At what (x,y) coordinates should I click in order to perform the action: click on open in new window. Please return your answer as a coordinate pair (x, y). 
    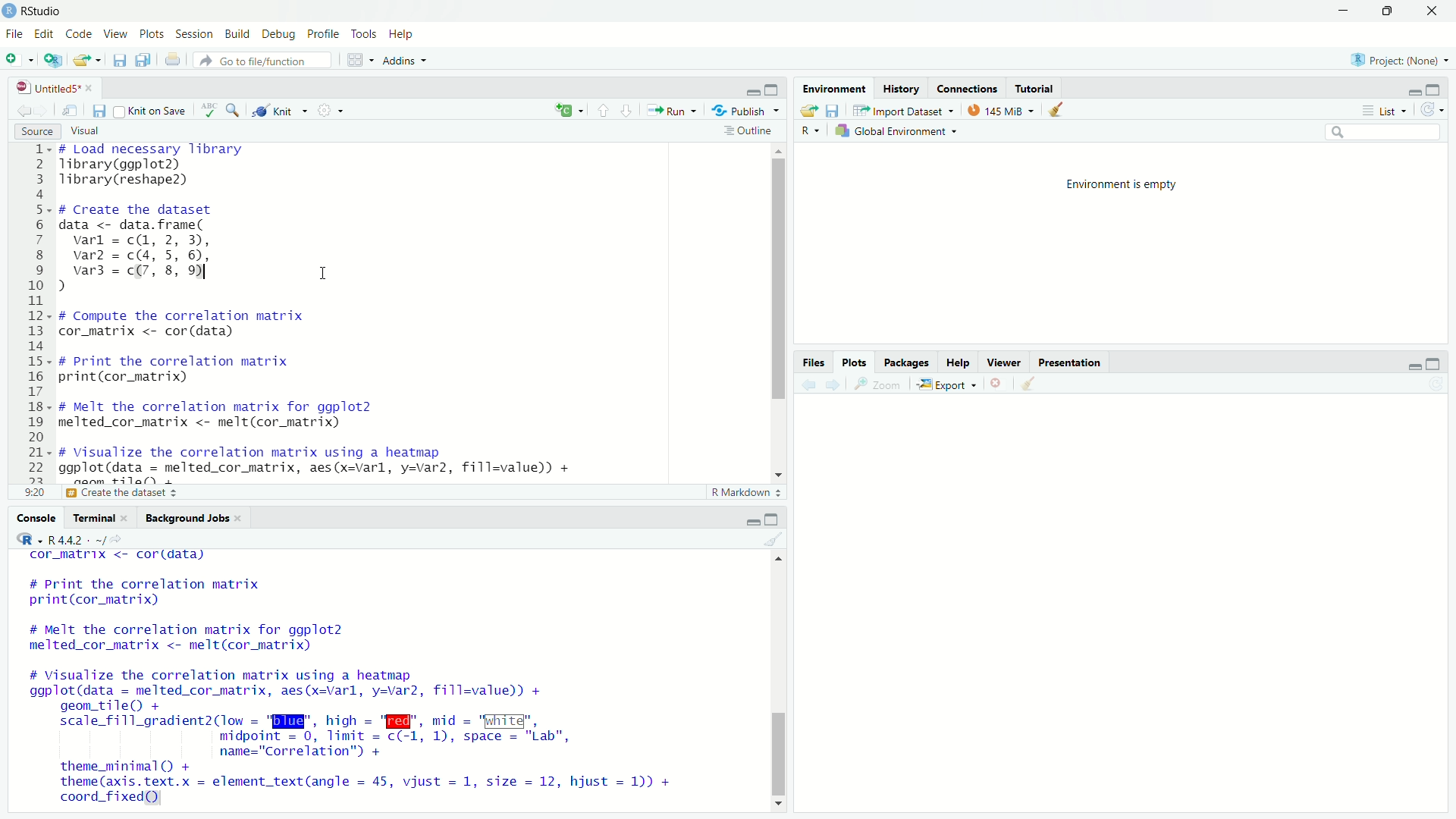
    Looking at the image, I should click on (74, 111).